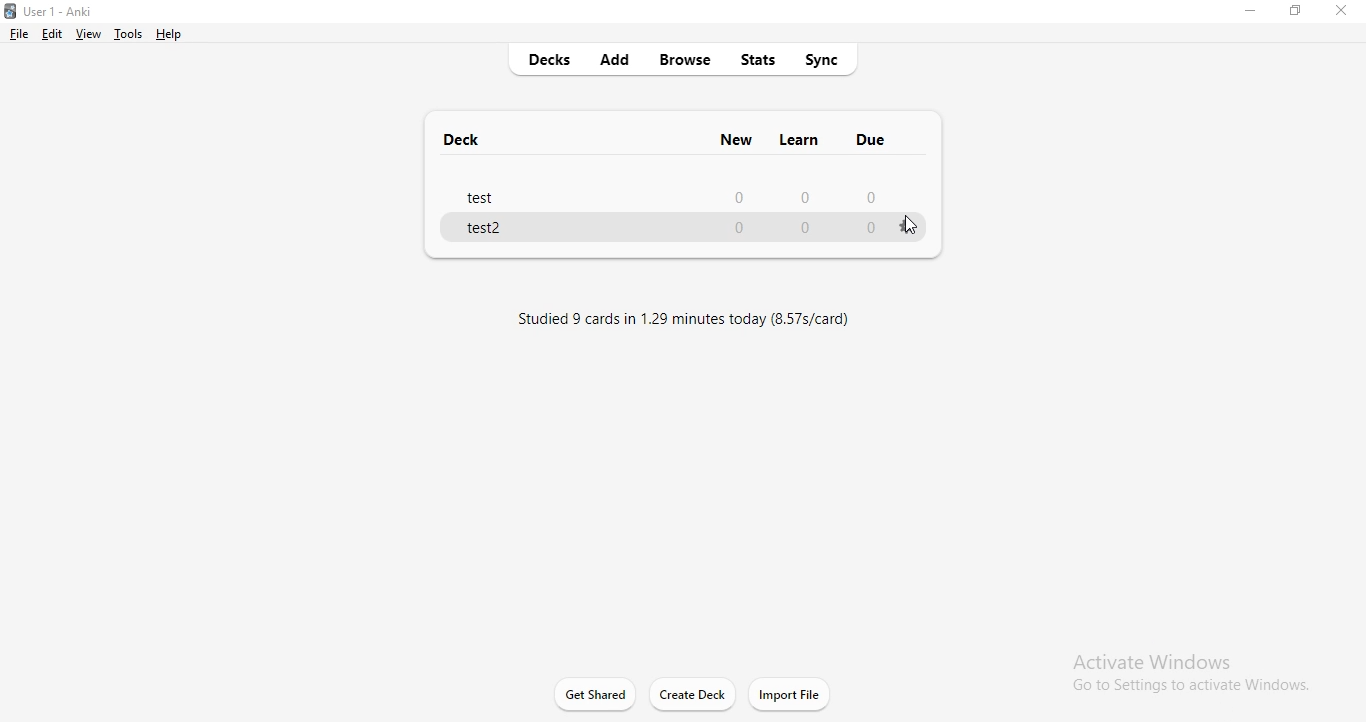 Image resolution: width=1366 pixels, height=722 pixels. I want to click on 0, so click(741, 198).